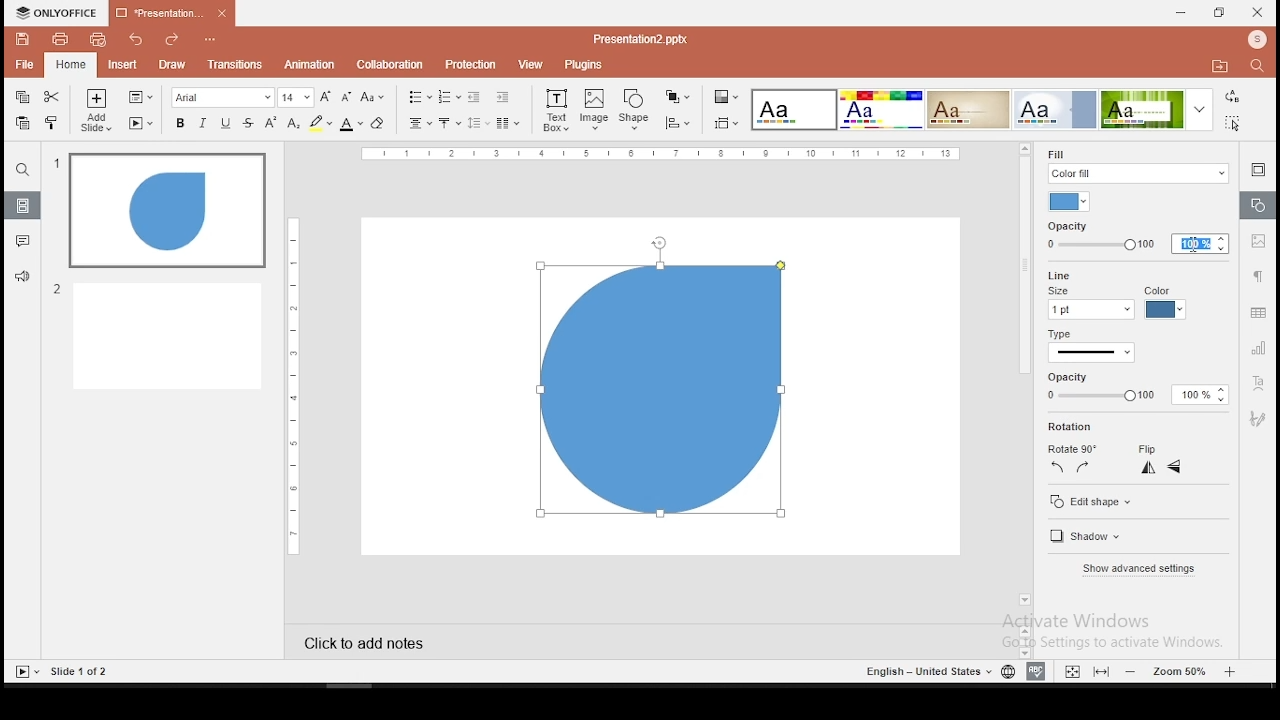  What do you see at coordinates (638, 39) in the screenshot?
I see `presentation` at bounding box center [638, 39].